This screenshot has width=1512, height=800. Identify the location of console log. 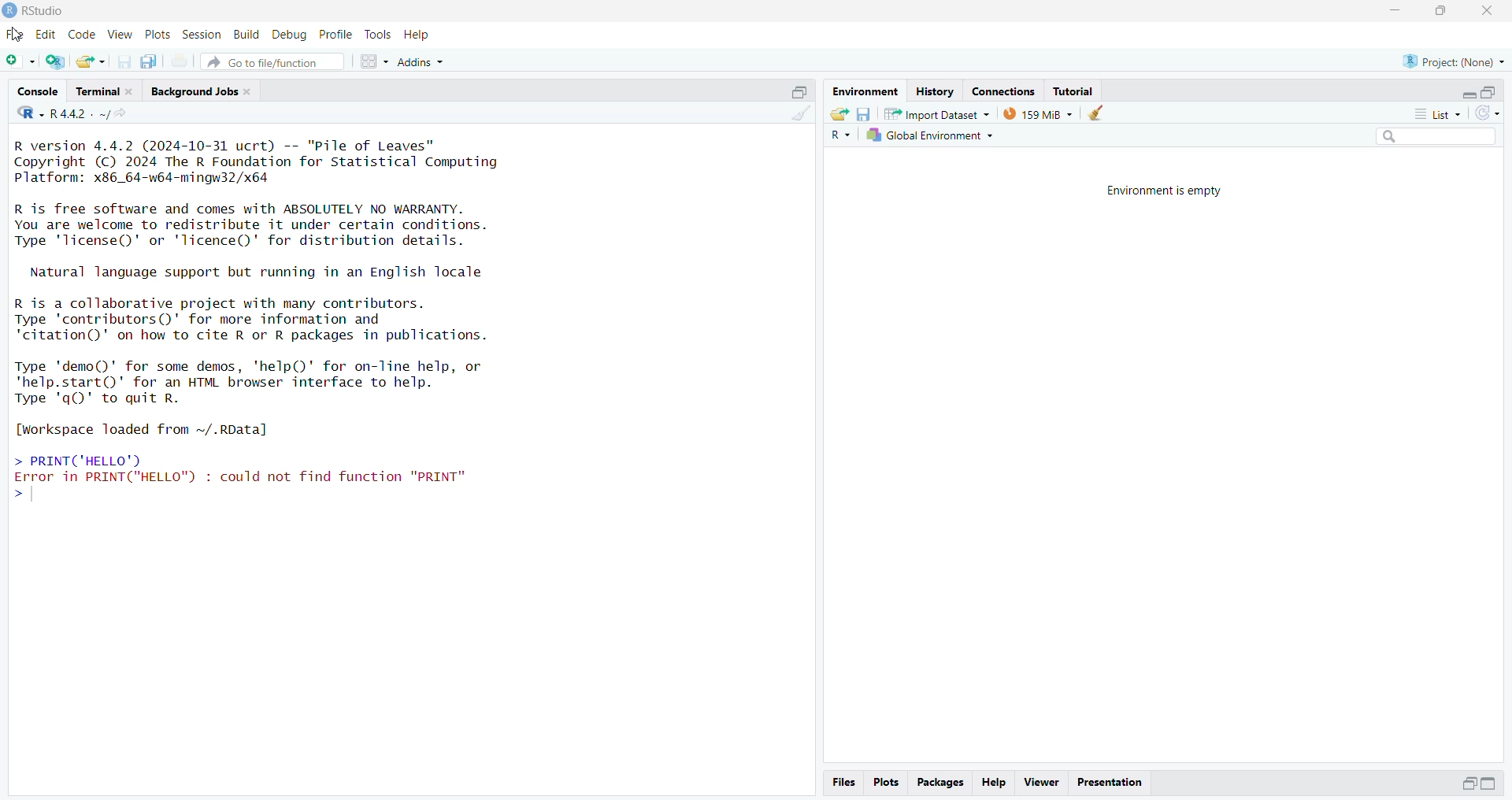
(350, 328).